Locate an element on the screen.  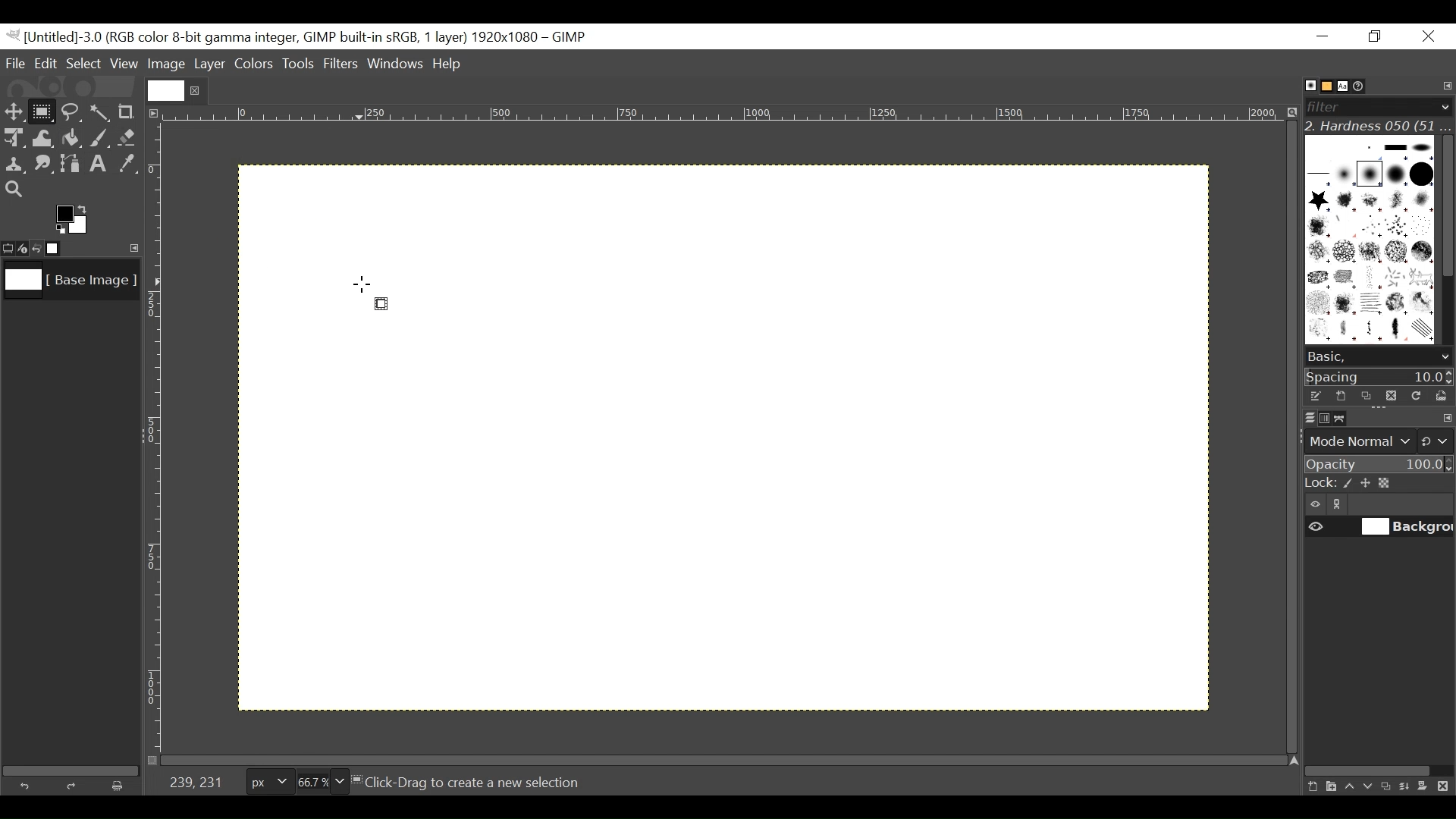
Current file is located at coordinates (167, 88).